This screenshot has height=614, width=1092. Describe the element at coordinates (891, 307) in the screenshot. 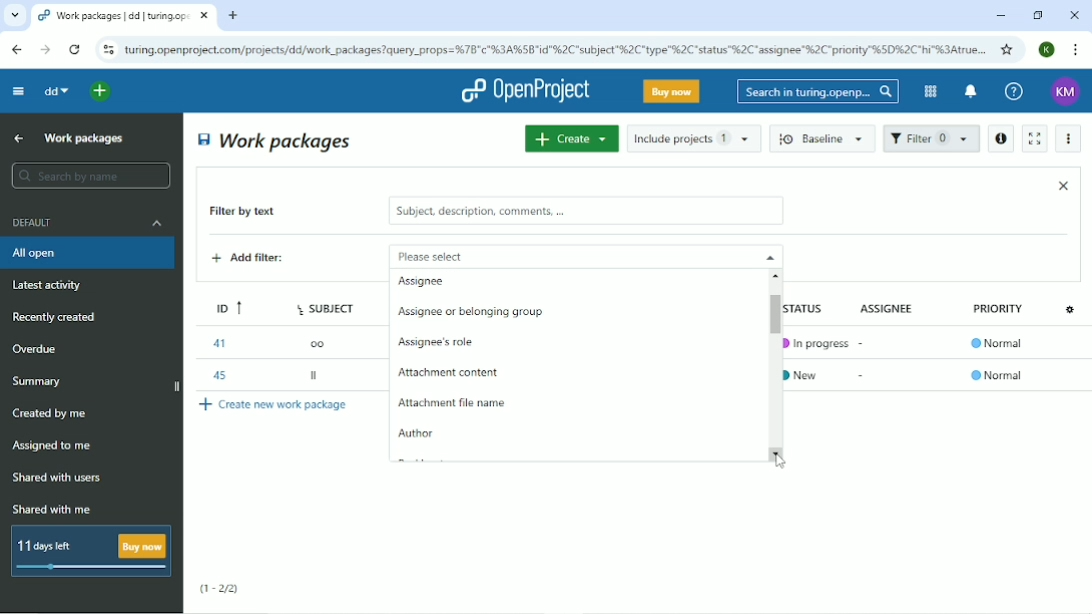

I see `Assignee` at that location.